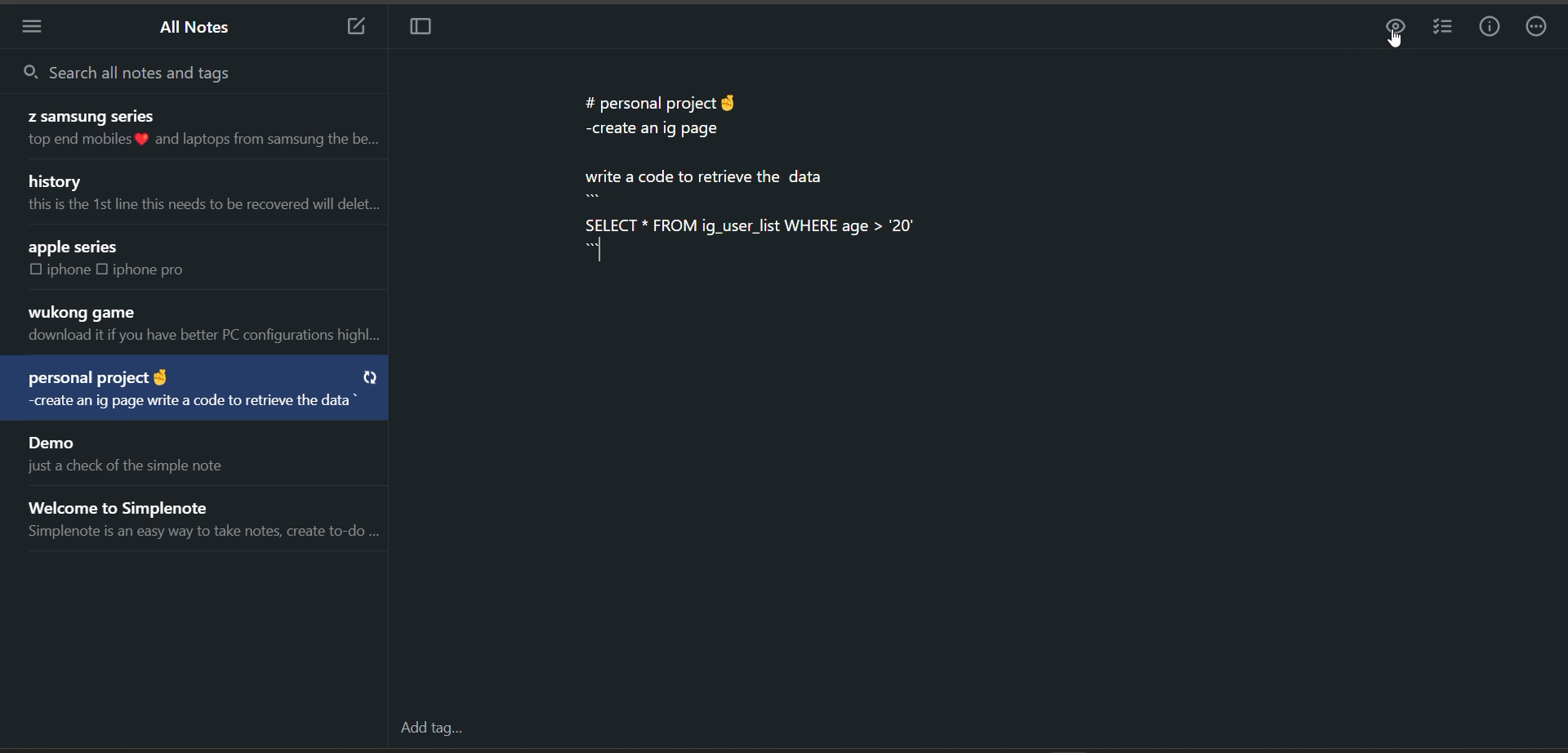  What do you see at coordinates (197, 30) in the screenshot?
I see `all notes` at bounding box center [197, 30].